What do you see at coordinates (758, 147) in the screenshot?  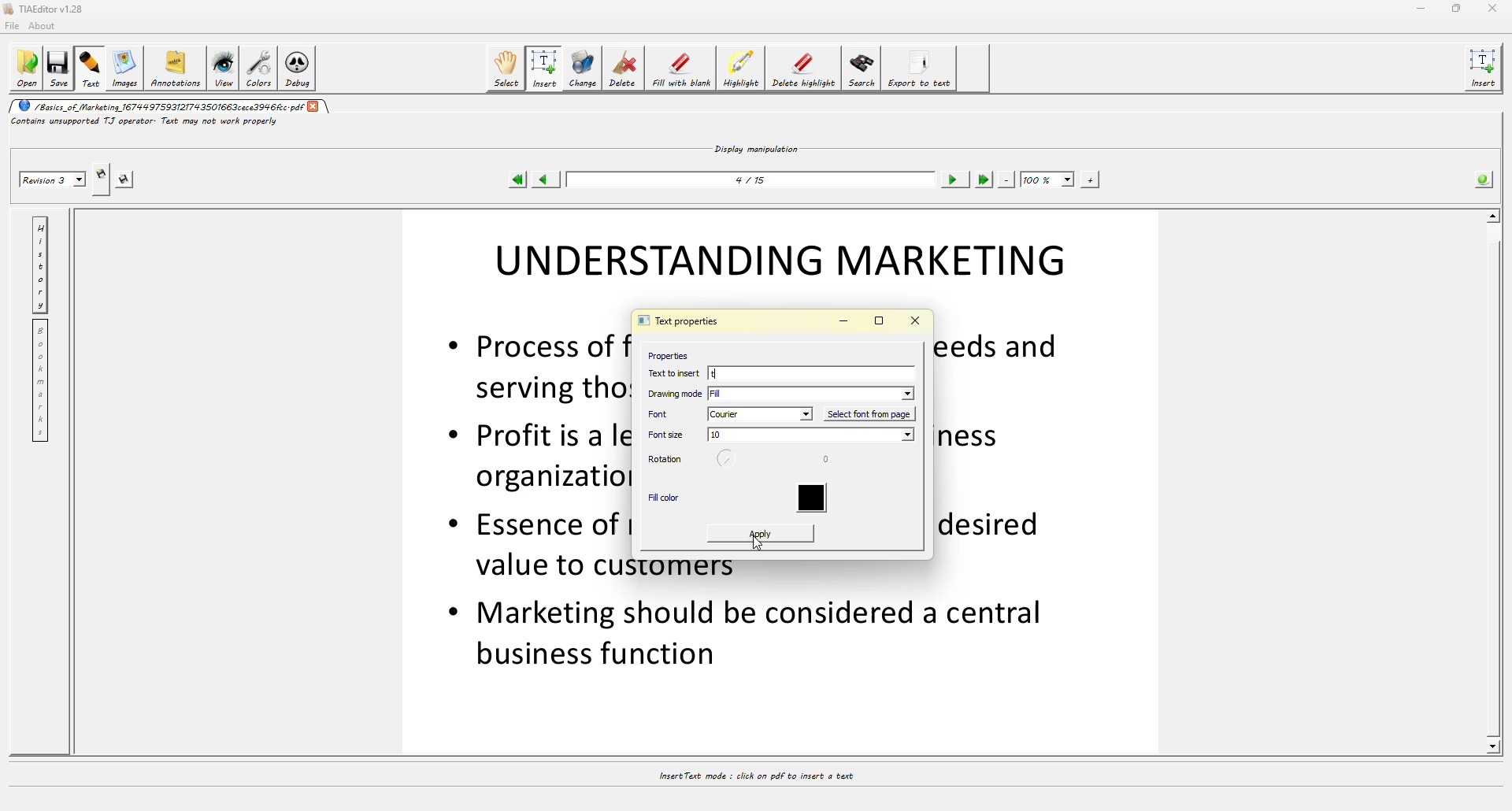 I see `display manipulation` at bounding box center [758, 147].